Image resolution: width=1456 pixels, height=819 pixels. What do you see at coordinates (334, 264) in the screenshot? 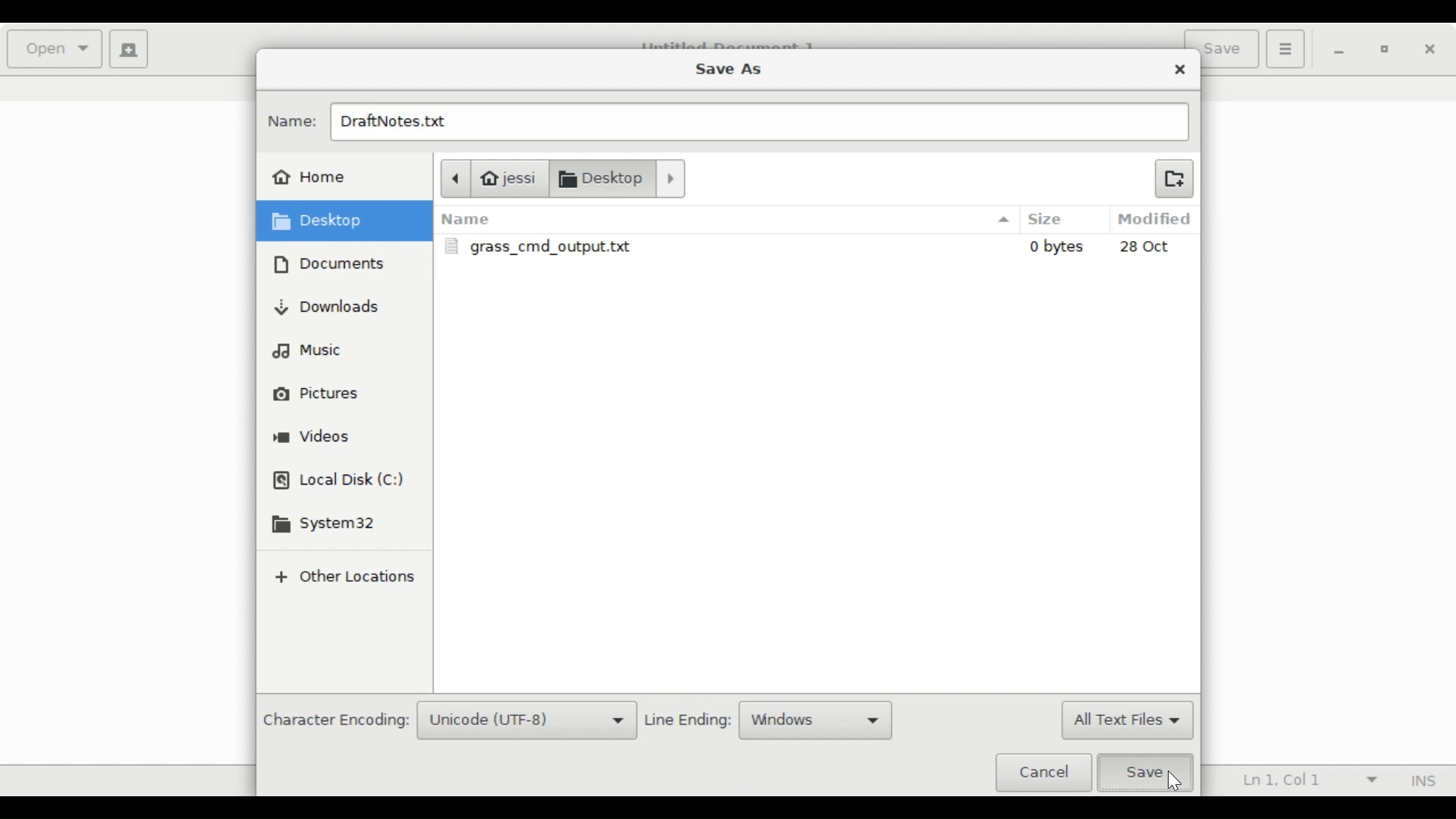
I see `Documents` at bounding box center [334, 264].